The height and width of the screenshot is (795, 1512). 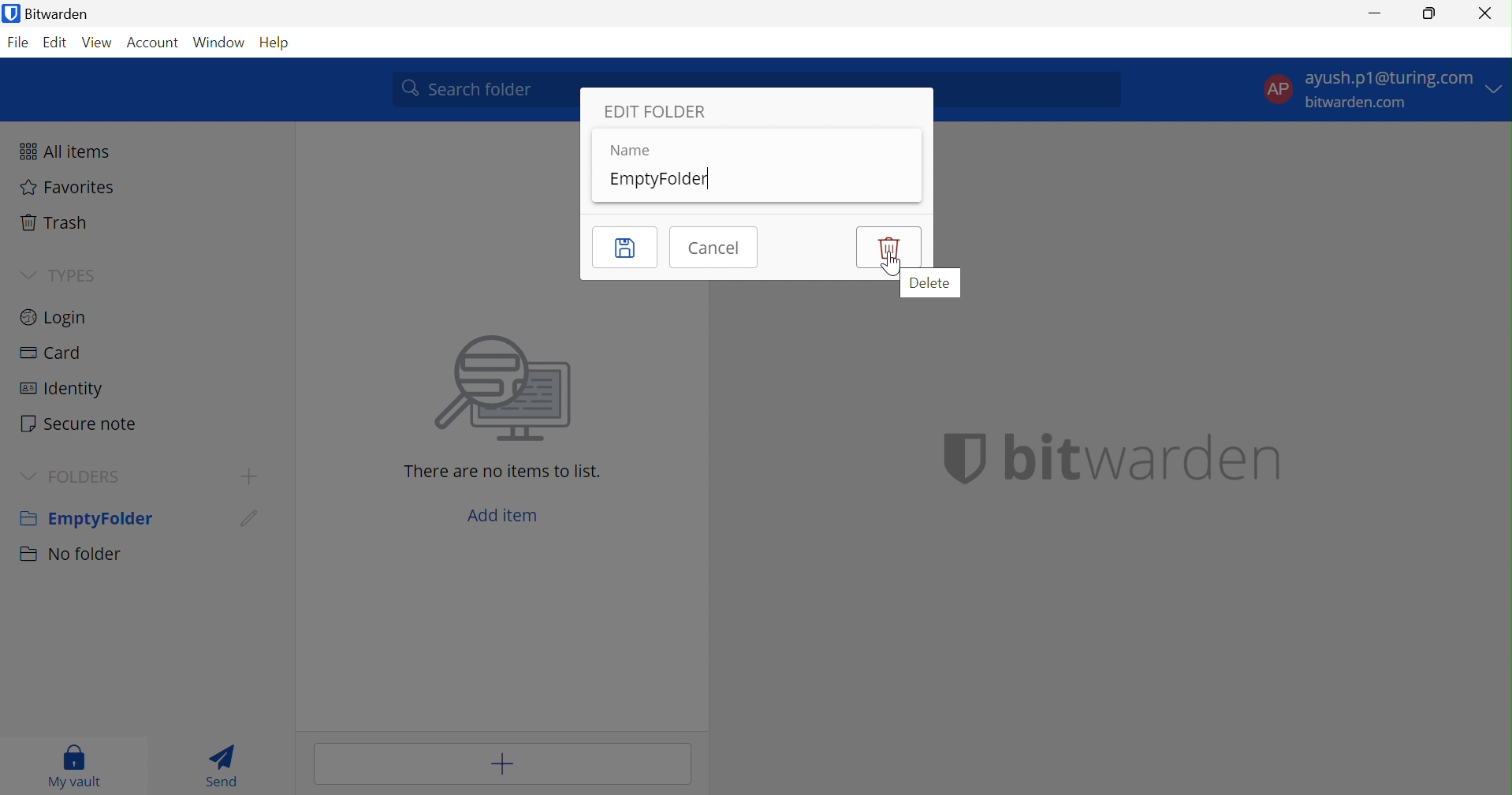 I want to click on Help, so click(x=283, y=43).